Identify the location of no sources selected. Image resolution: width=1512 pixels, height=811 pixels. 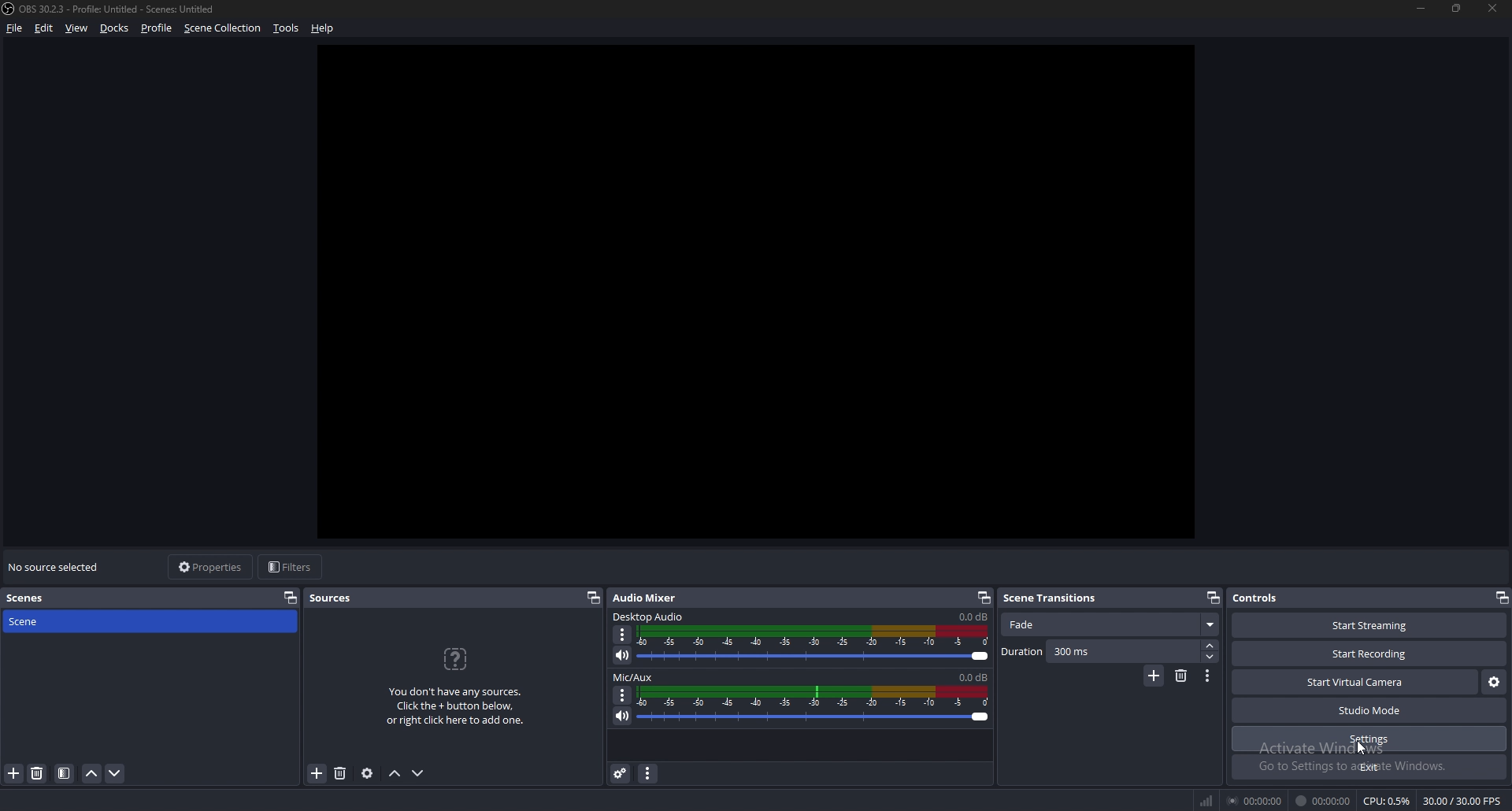
(57, 567).